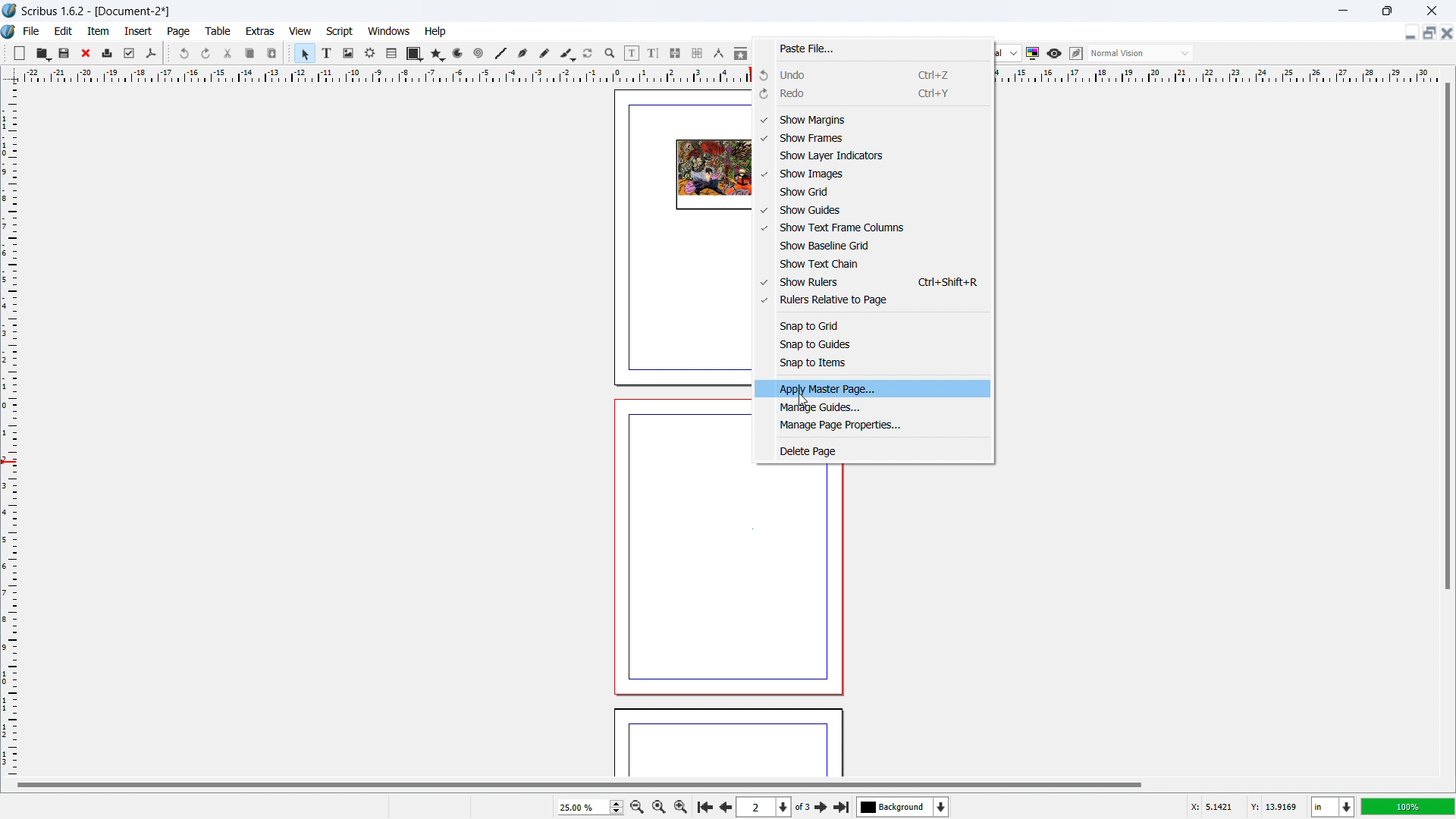  What do you see at coordinates (567, 54) in the screenshot?
I see `caligraphic line` at bounding box center [567, 54].